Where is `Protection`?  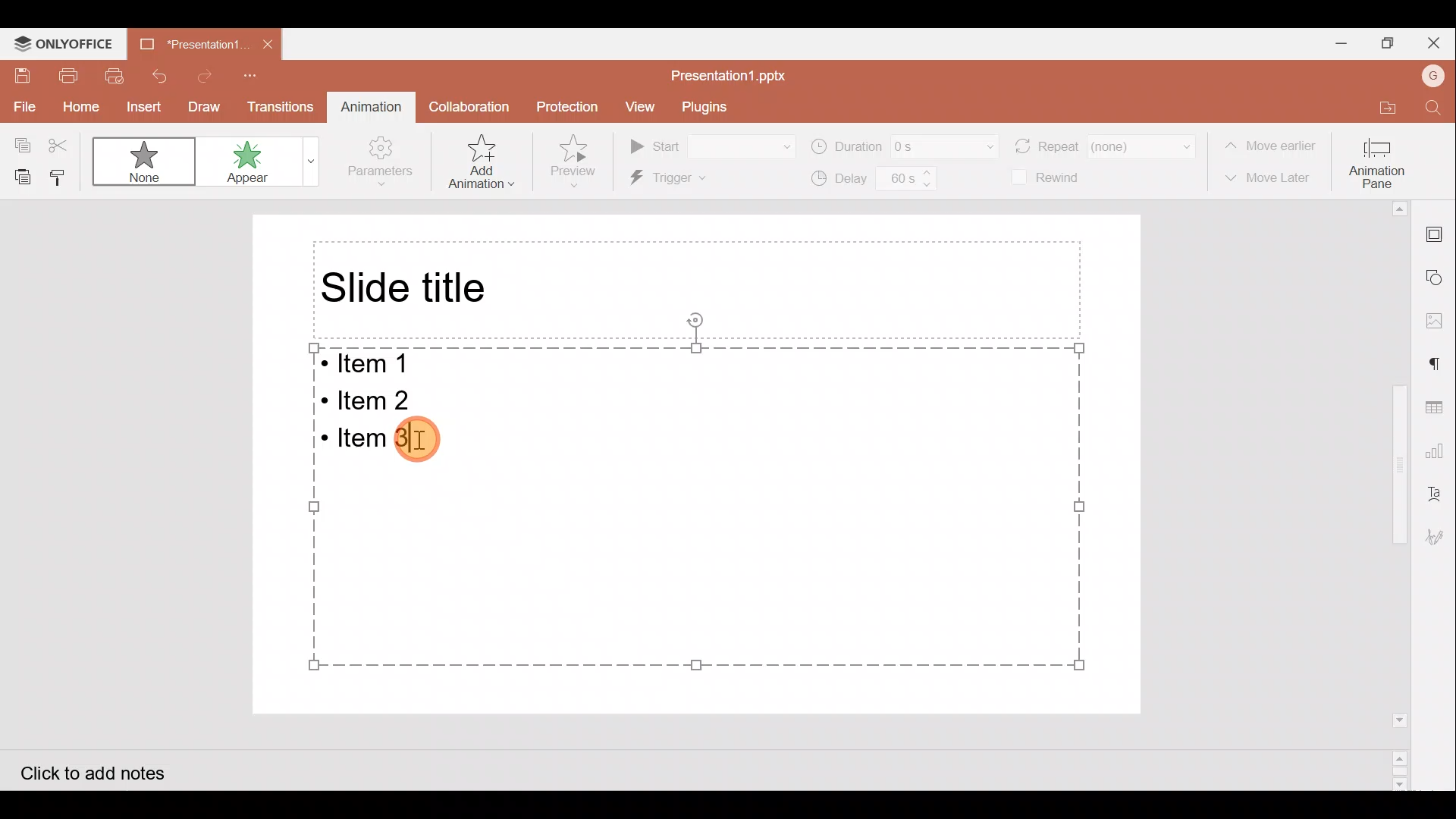
Protection is located at coordinates (566, 108).